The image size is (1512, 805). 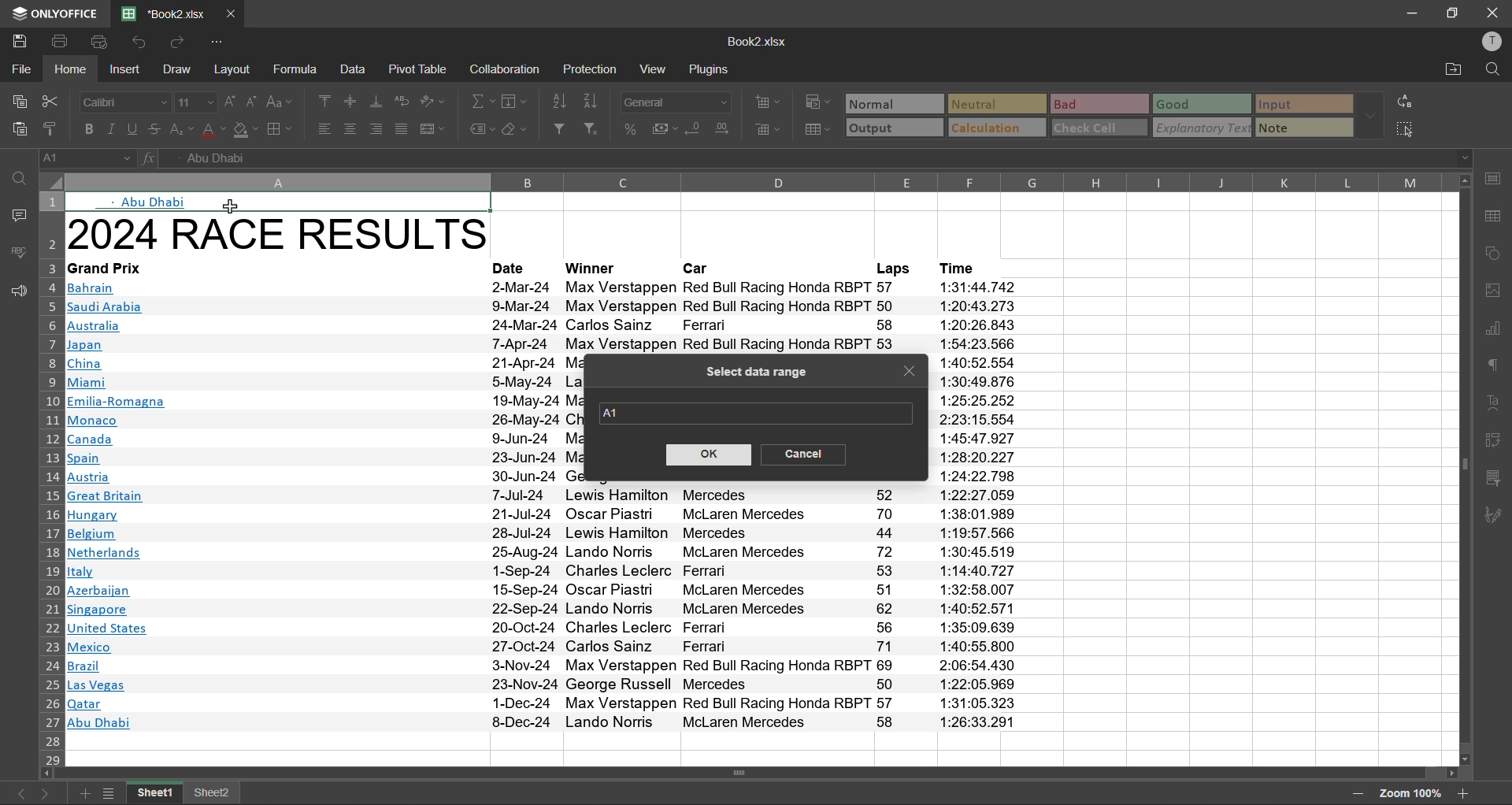 I want to click on bold, so click(x=87, y=129).